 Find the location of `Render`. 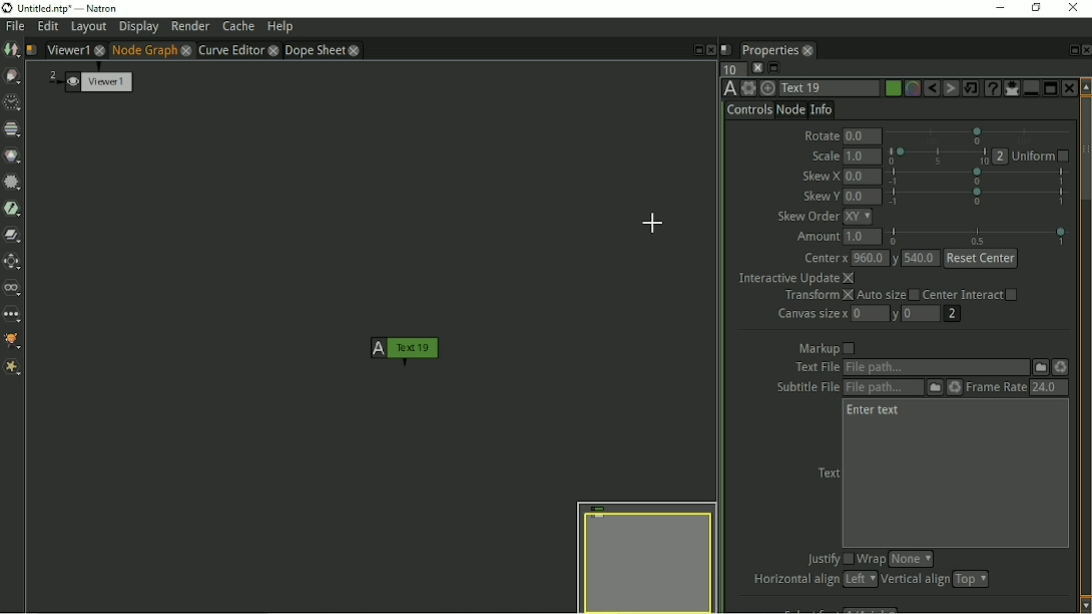

Render is located at coordinates (190, 27).